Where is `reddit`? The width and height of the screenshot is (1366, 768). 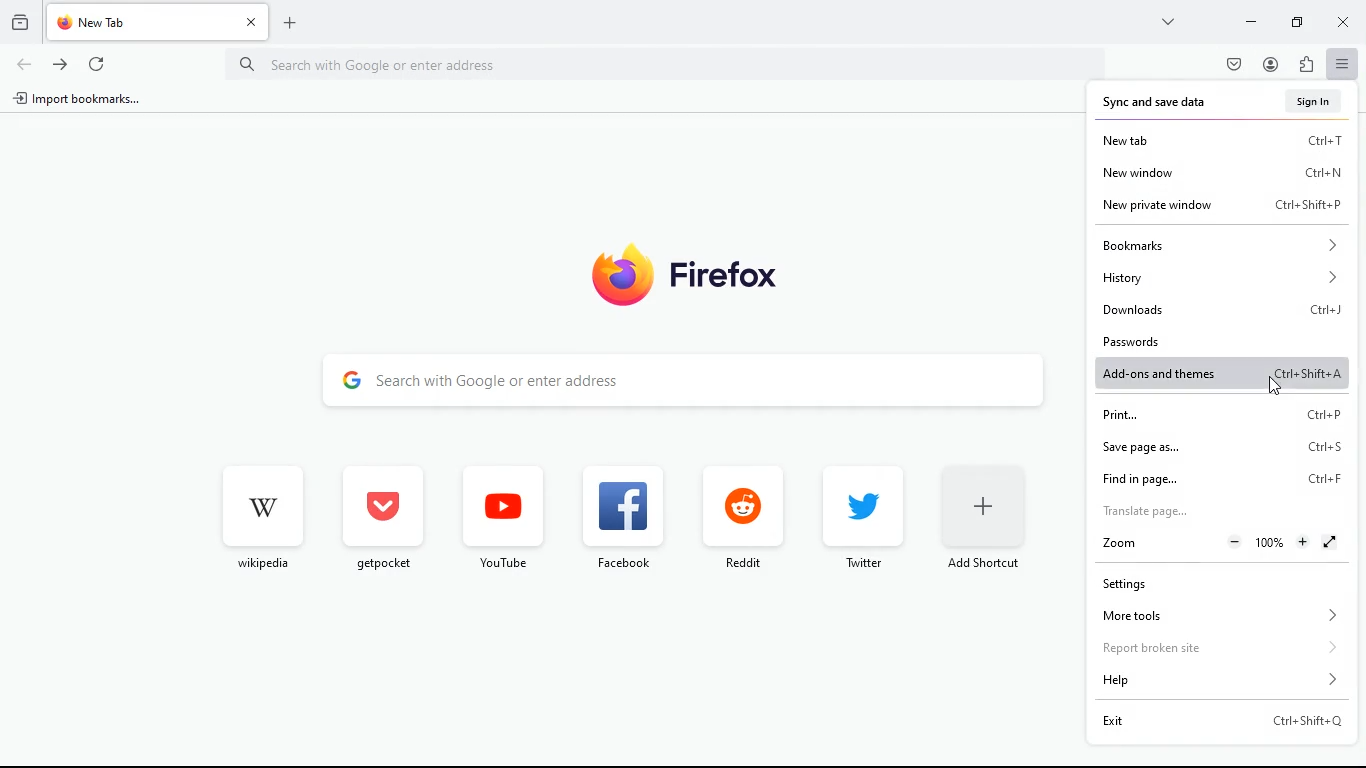 reddit is located at coordinates (747, 523).